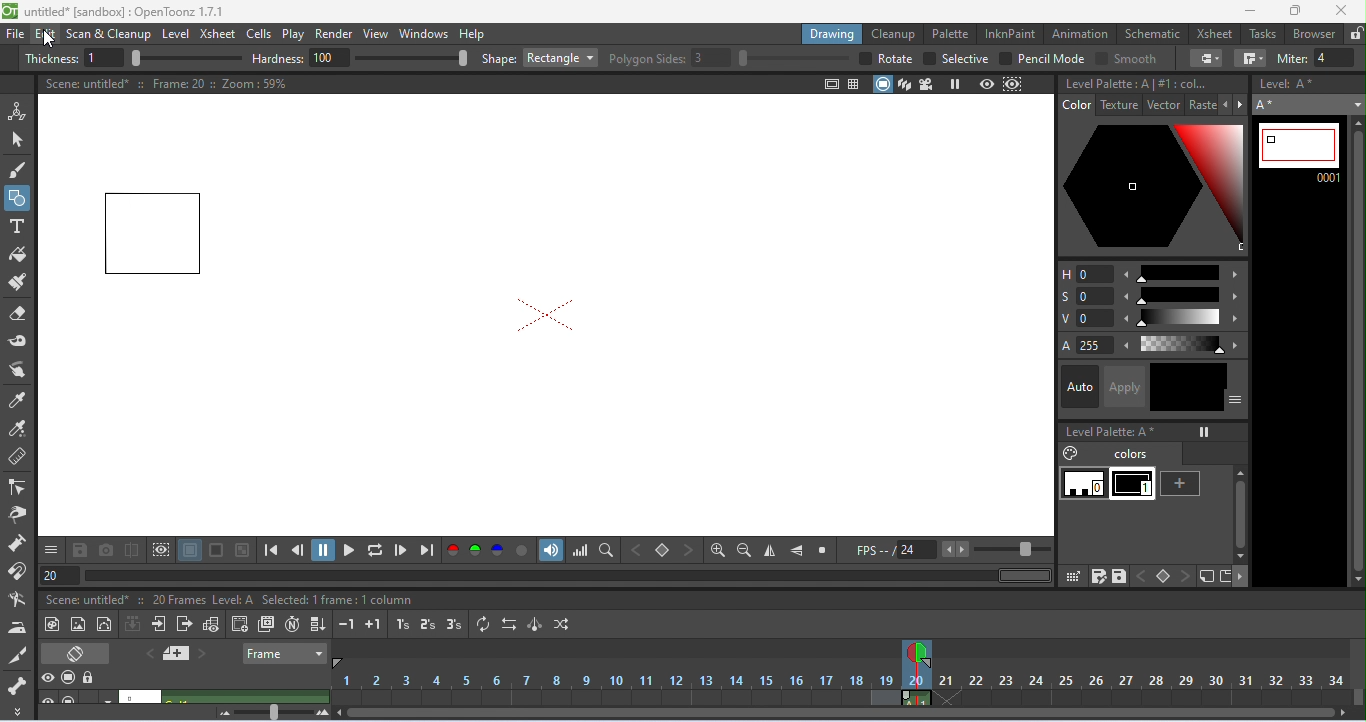  Describe the element at coordinates (74, 698) in the screenshot. I see `camera stand visibility` at that location.